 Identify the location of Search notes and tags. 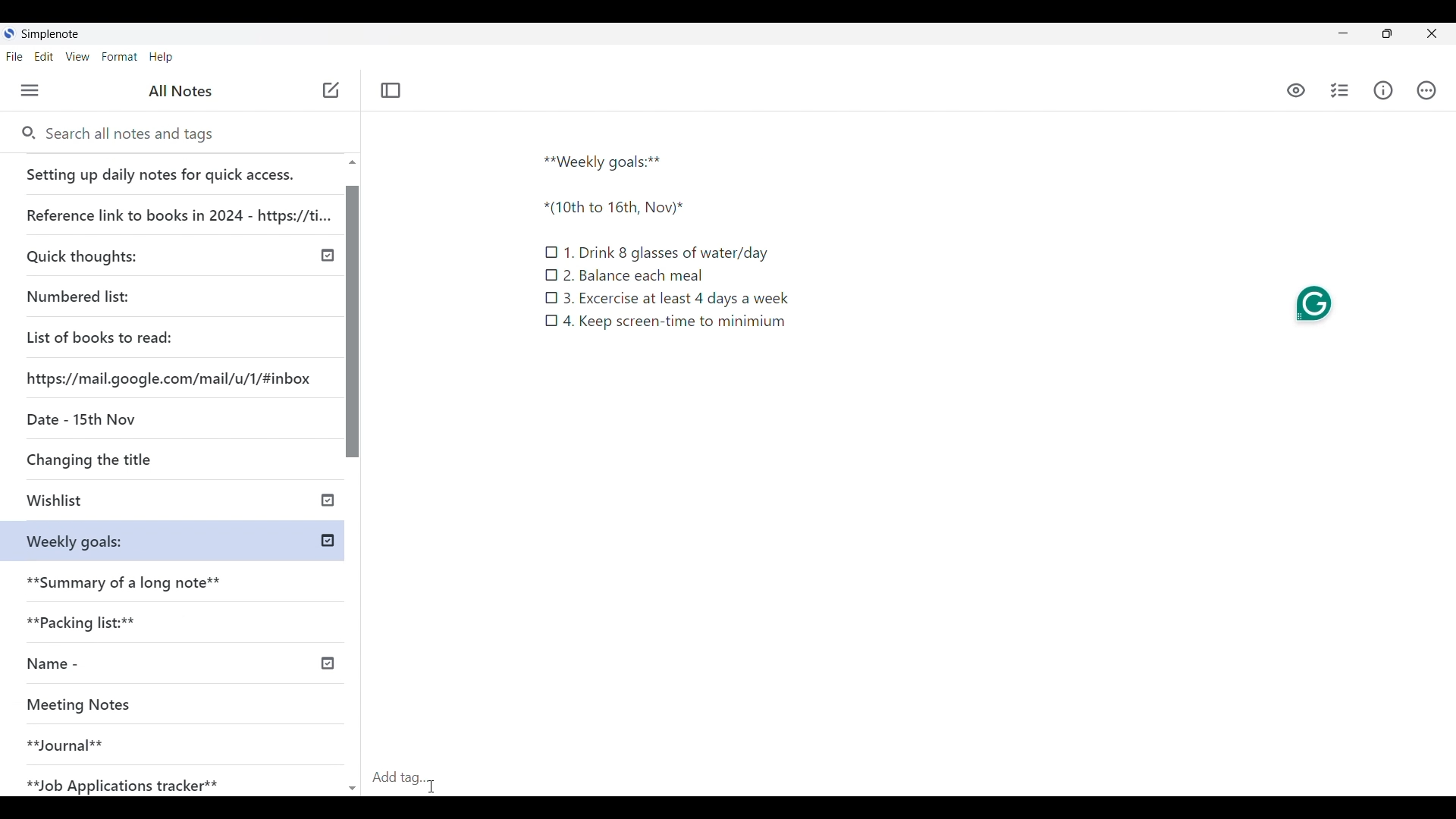
(136, 134).